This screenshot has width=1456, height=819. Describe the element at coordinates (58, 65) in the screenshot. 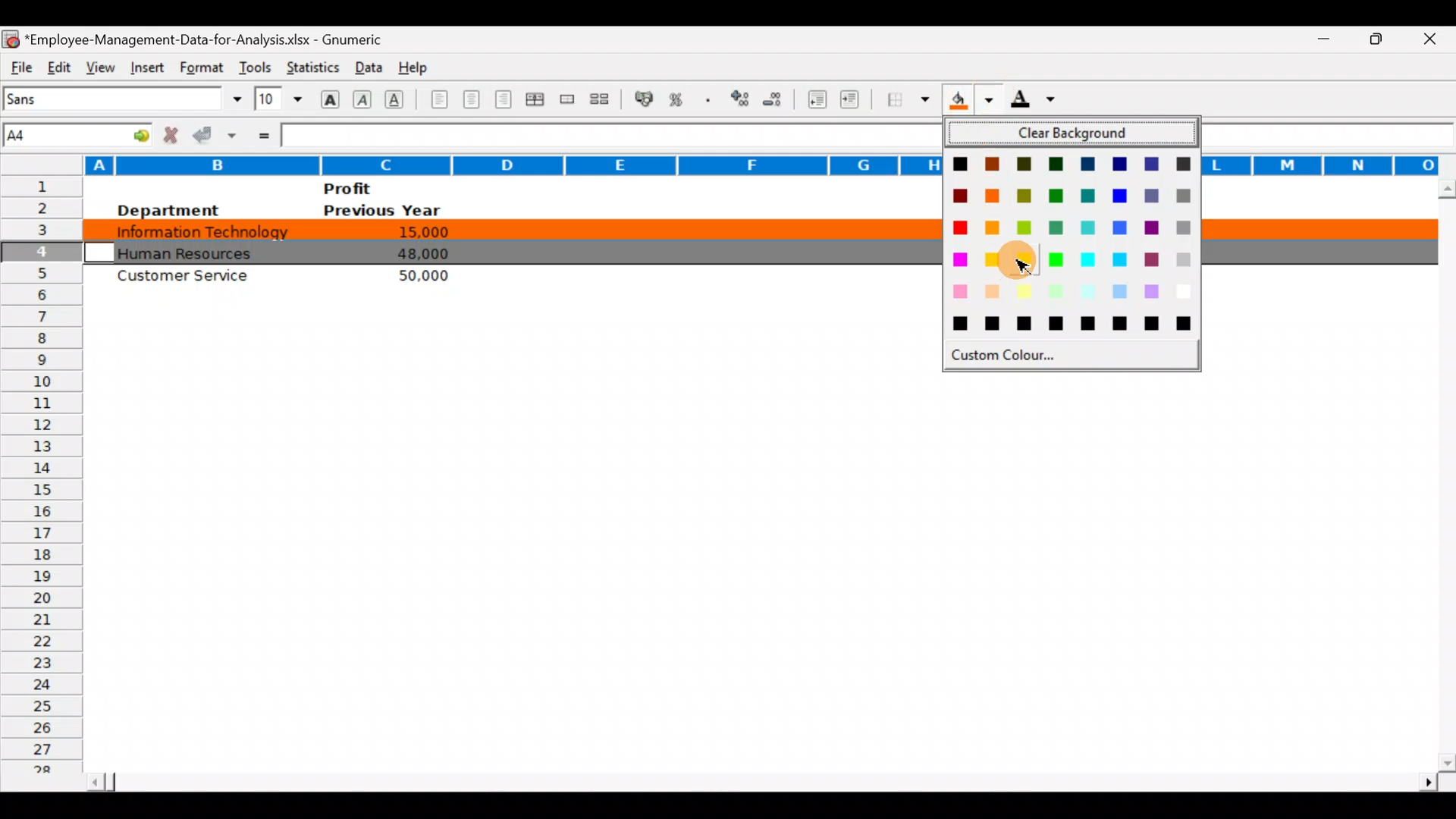

I see `Edit` at that location.